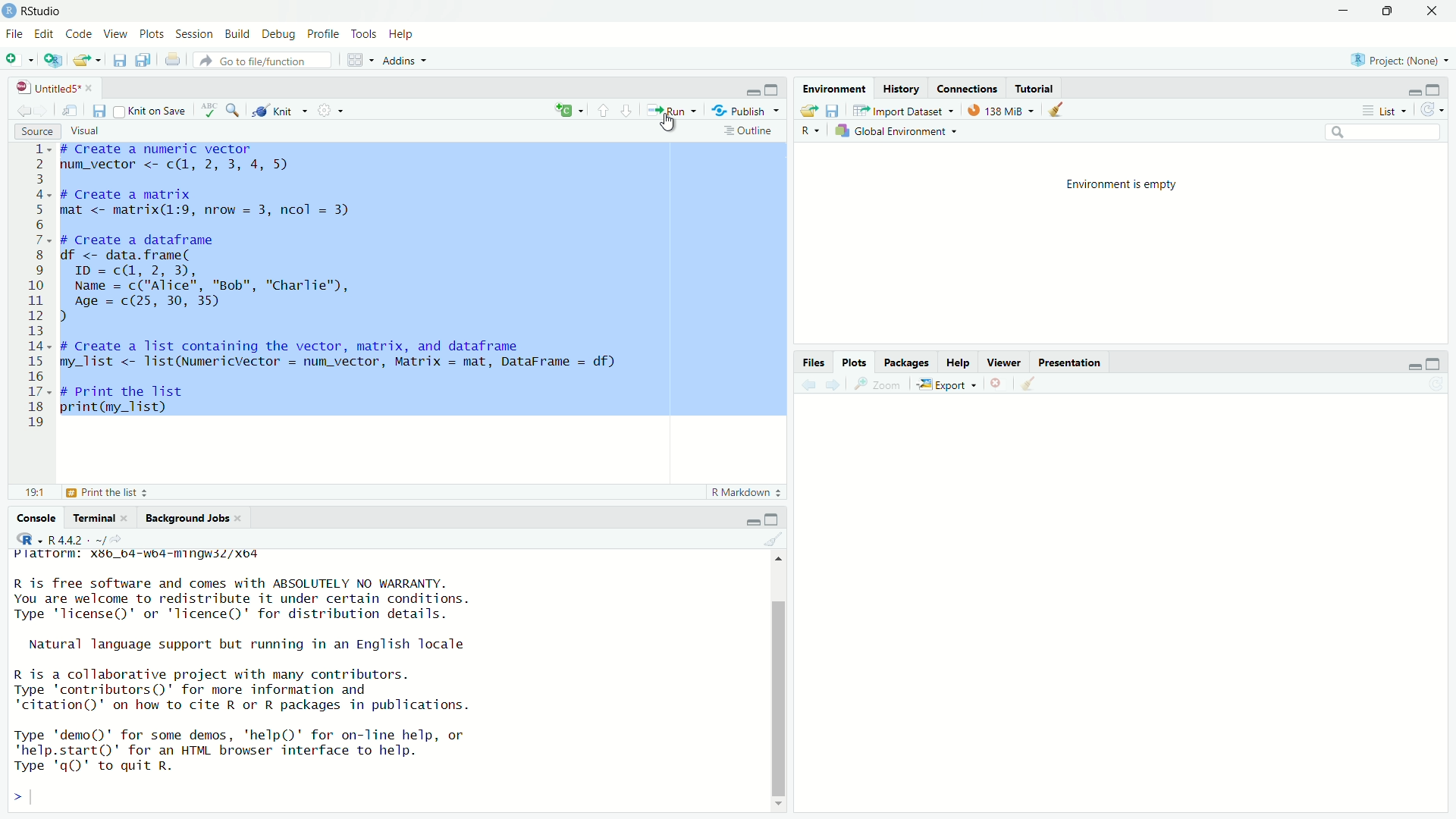 Image resolution: width=1456 pixels, height=819 pixels. I want to click on maximise, so click(1385, 11).